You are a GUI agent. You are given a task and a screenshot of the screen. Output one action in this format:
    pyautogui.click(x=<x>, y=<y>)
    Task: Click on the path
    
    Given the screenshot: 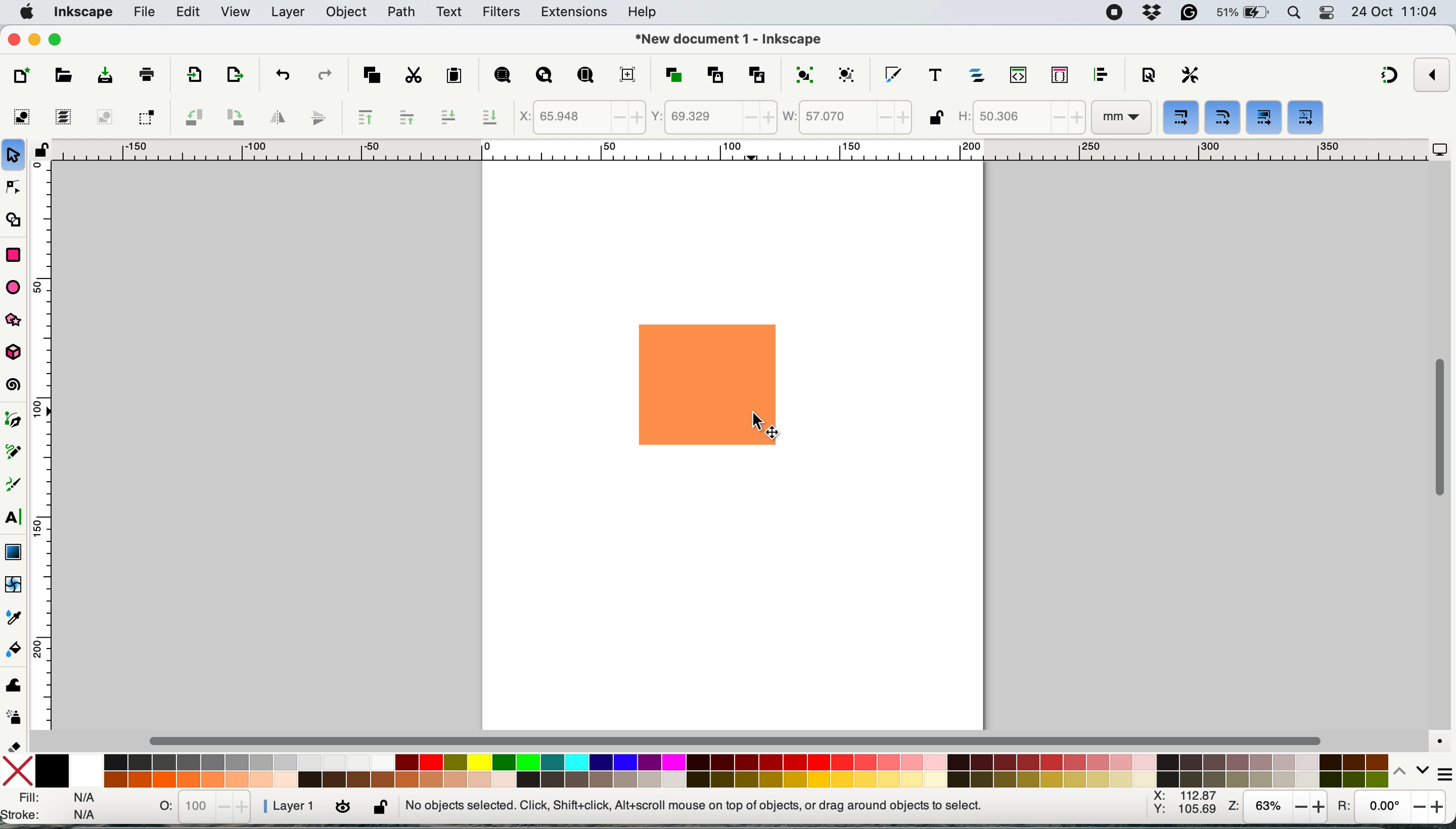 What is the action you would take?
    pyautogui.click(x=401, y=12)
    